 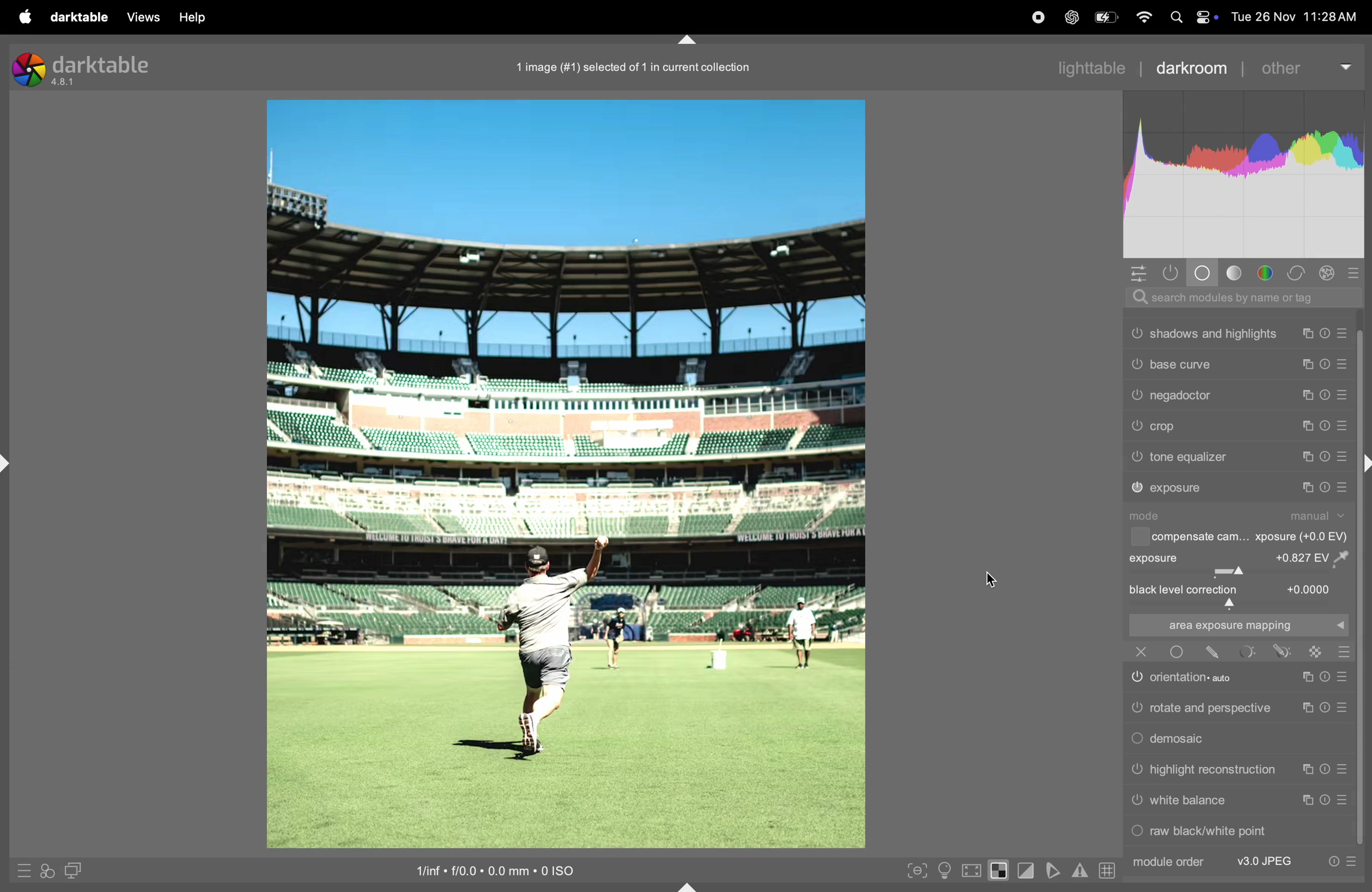 I want to click on Presets , so click(x=1343, y=487).